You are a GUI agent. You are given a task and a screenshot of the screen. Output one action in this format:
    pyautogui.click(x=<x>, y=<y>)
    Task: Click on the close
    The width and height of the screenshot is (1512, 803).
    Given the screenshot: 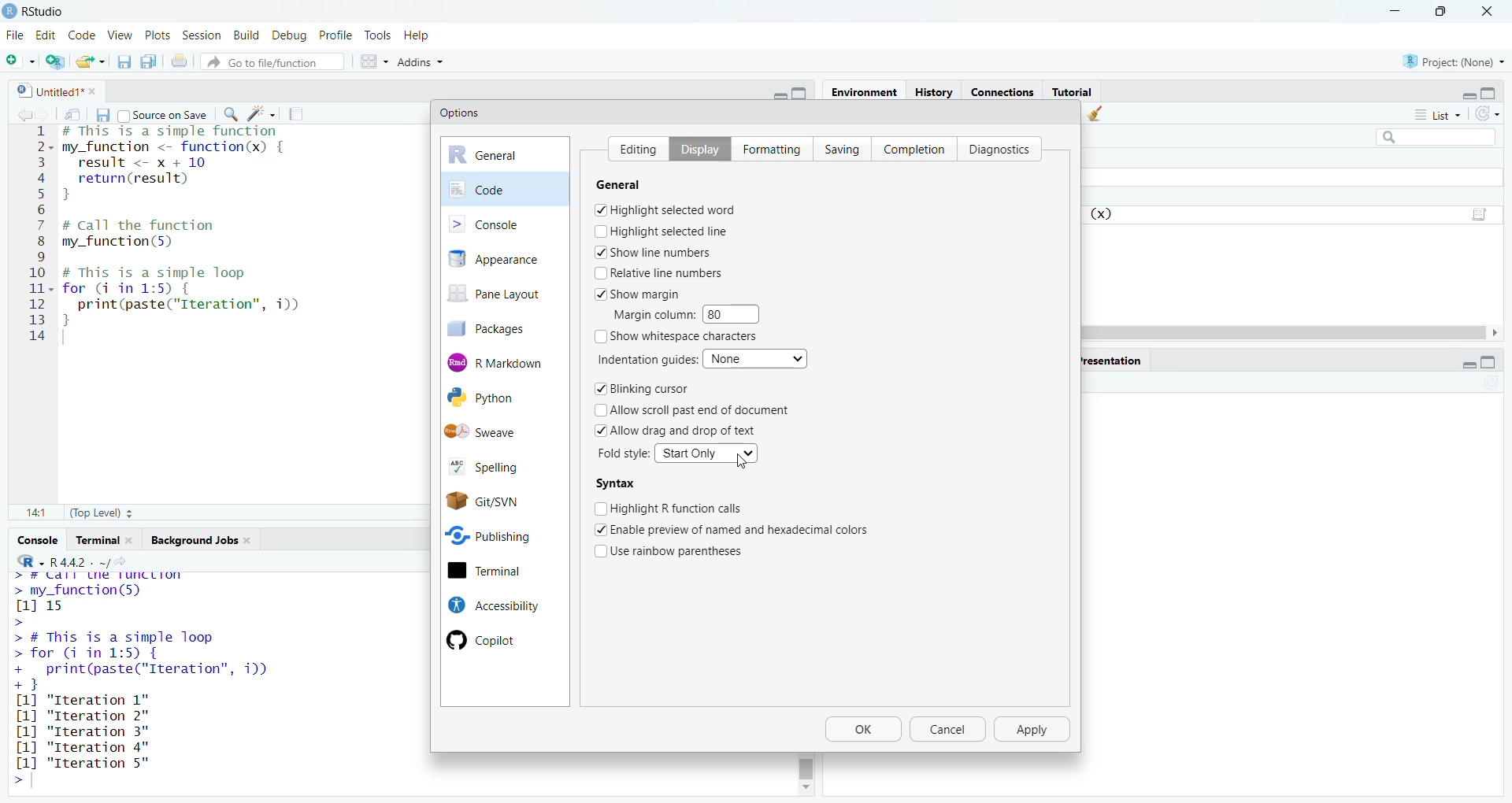 What is the action you would take?
    pyautogui.click(x=253, y=542)
    